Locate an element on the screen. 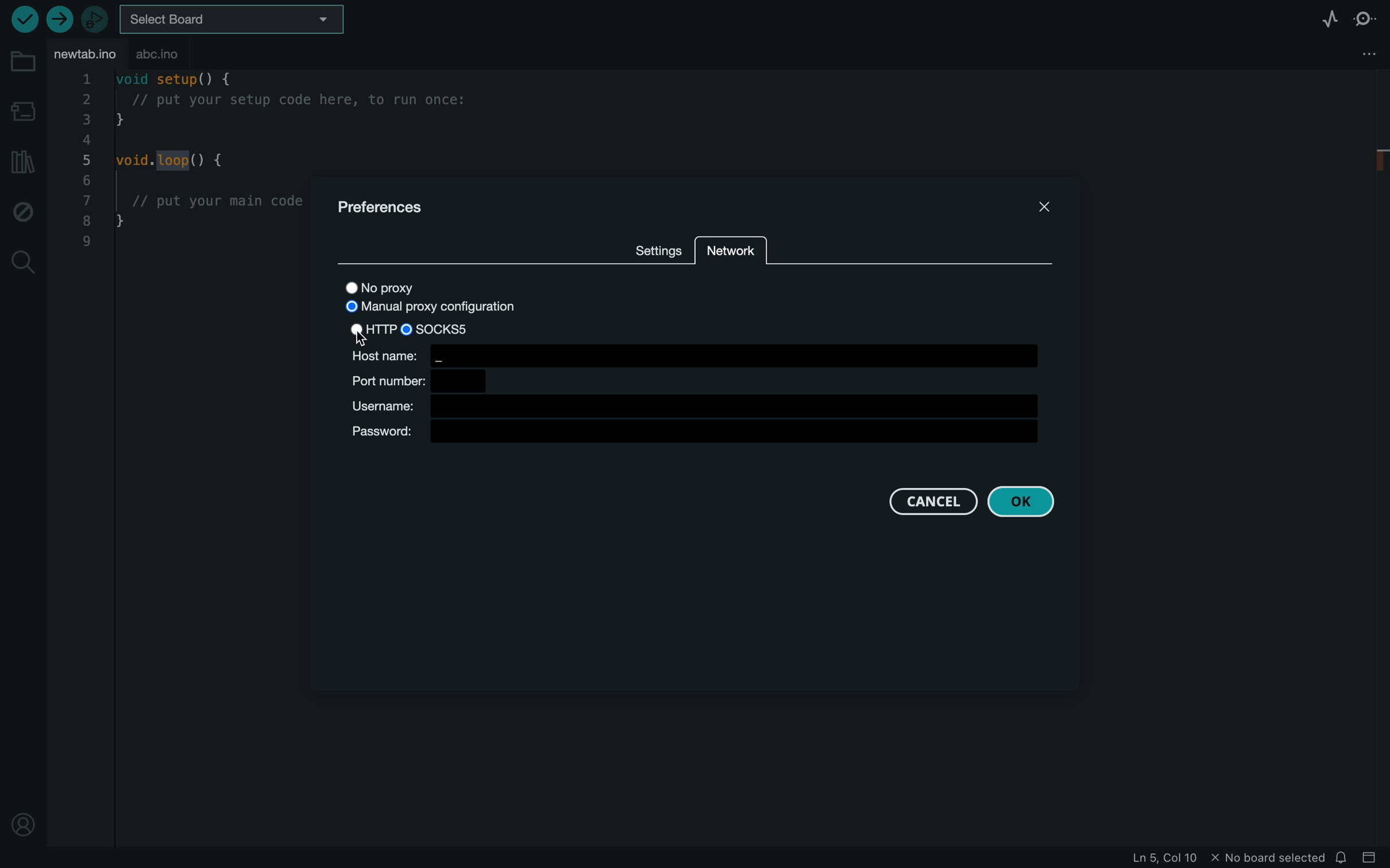 The height and width of the screenshot is (868, 1390). socks5 is located at coordinates (455, 329).